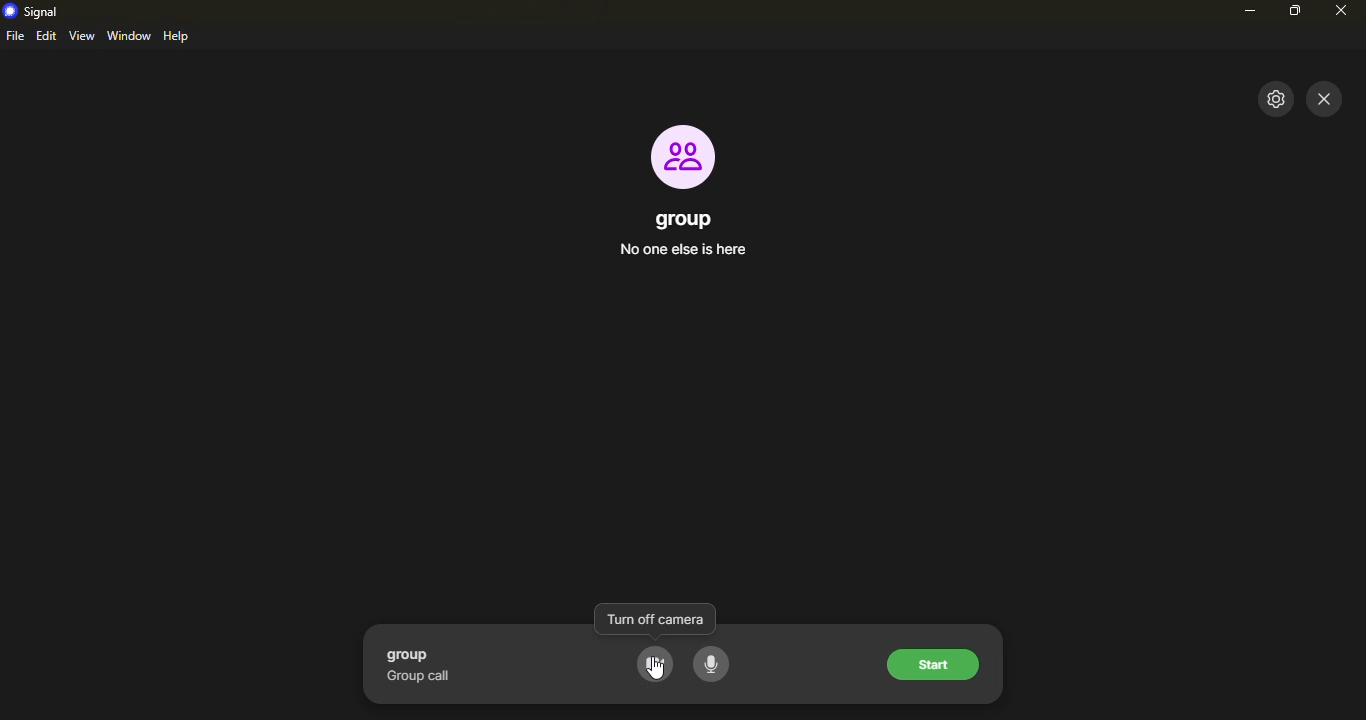  What do you see at coordinates (83, 36) in the screenshot?
I see `view` at bounding box center [83, 36].